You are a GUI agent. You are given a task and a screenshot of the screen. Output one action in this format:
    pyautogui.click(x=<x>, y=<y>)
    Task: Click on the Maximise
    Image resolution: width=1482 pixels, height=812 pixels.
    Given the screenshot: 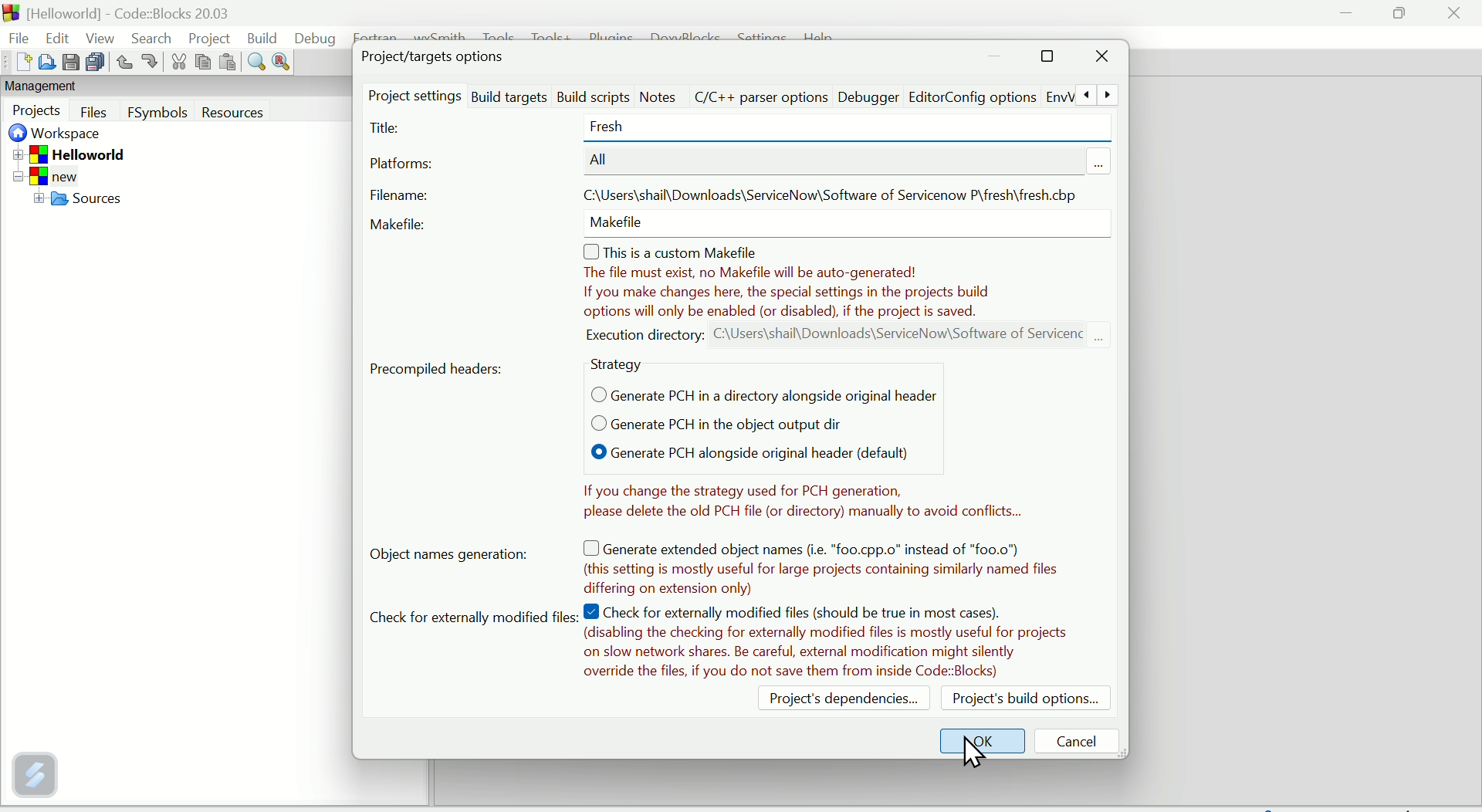 What is the action you would take?
    pyautogui.click(x=1047, y=58)
    